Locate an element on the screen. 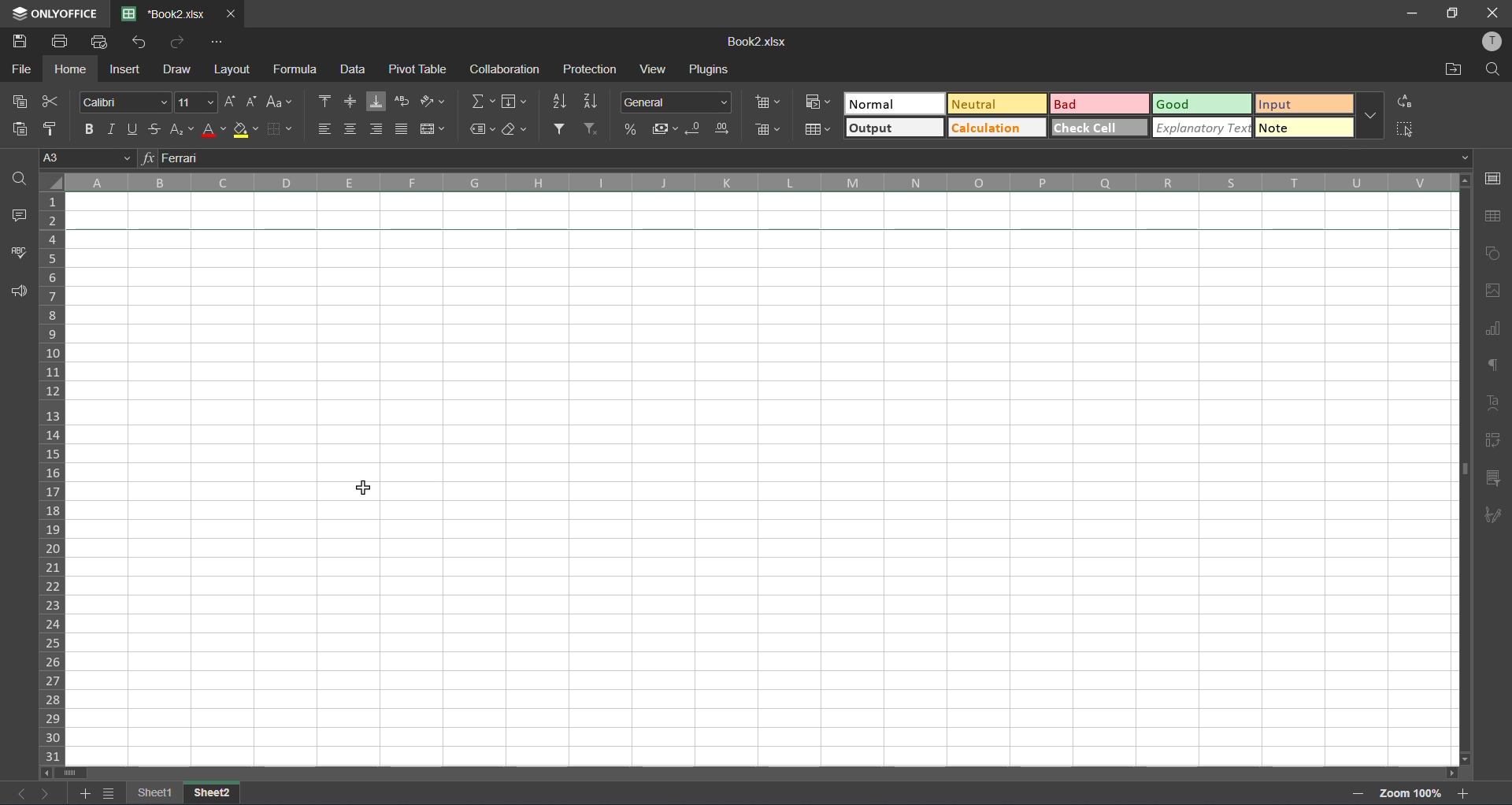 This screenshot has height=805, width=1512. clear filter is located at coordinates (593, 128).